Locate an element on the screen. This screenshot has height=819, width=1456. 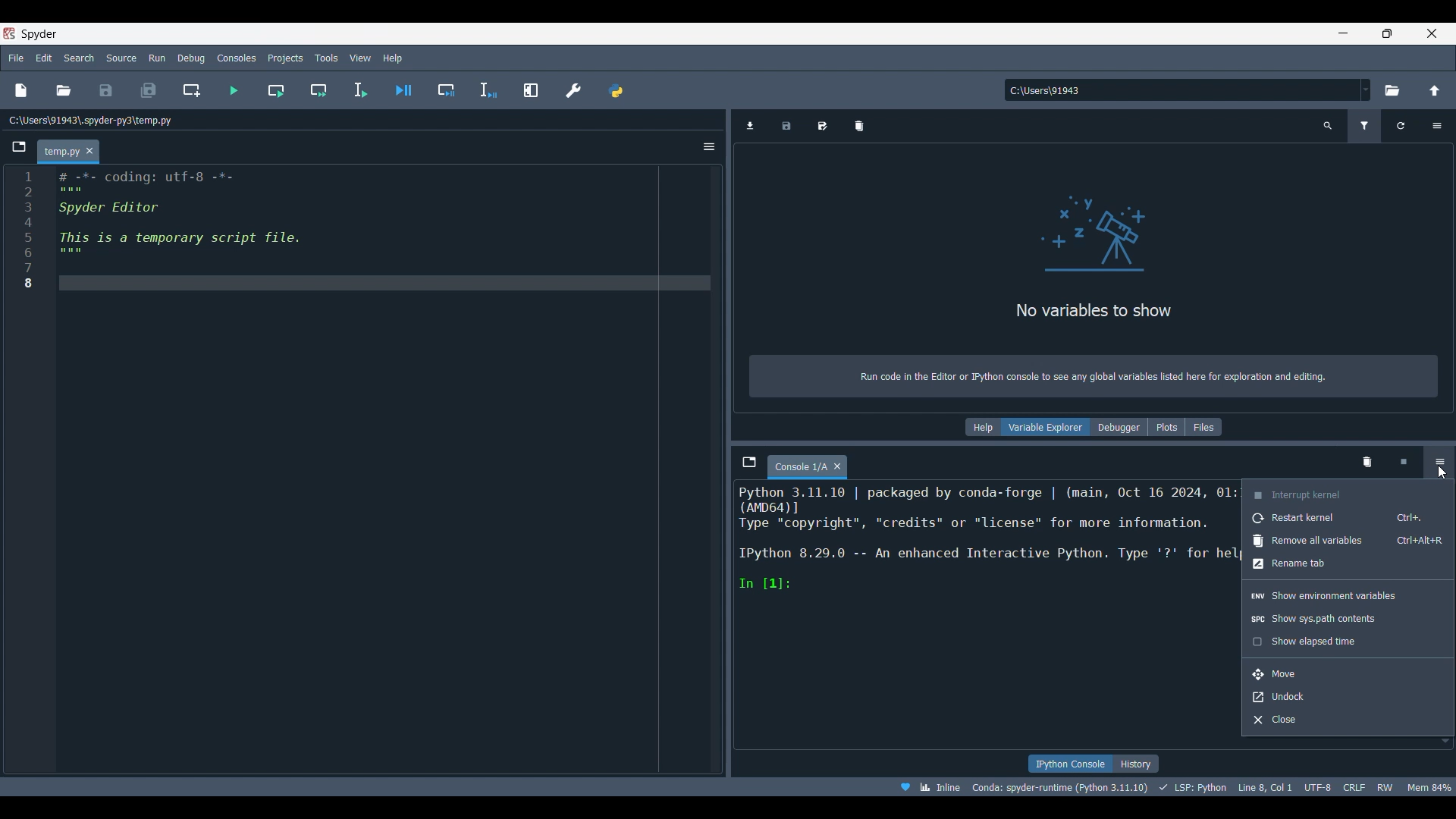
Browse tabs is located at coordinates (19, 146).